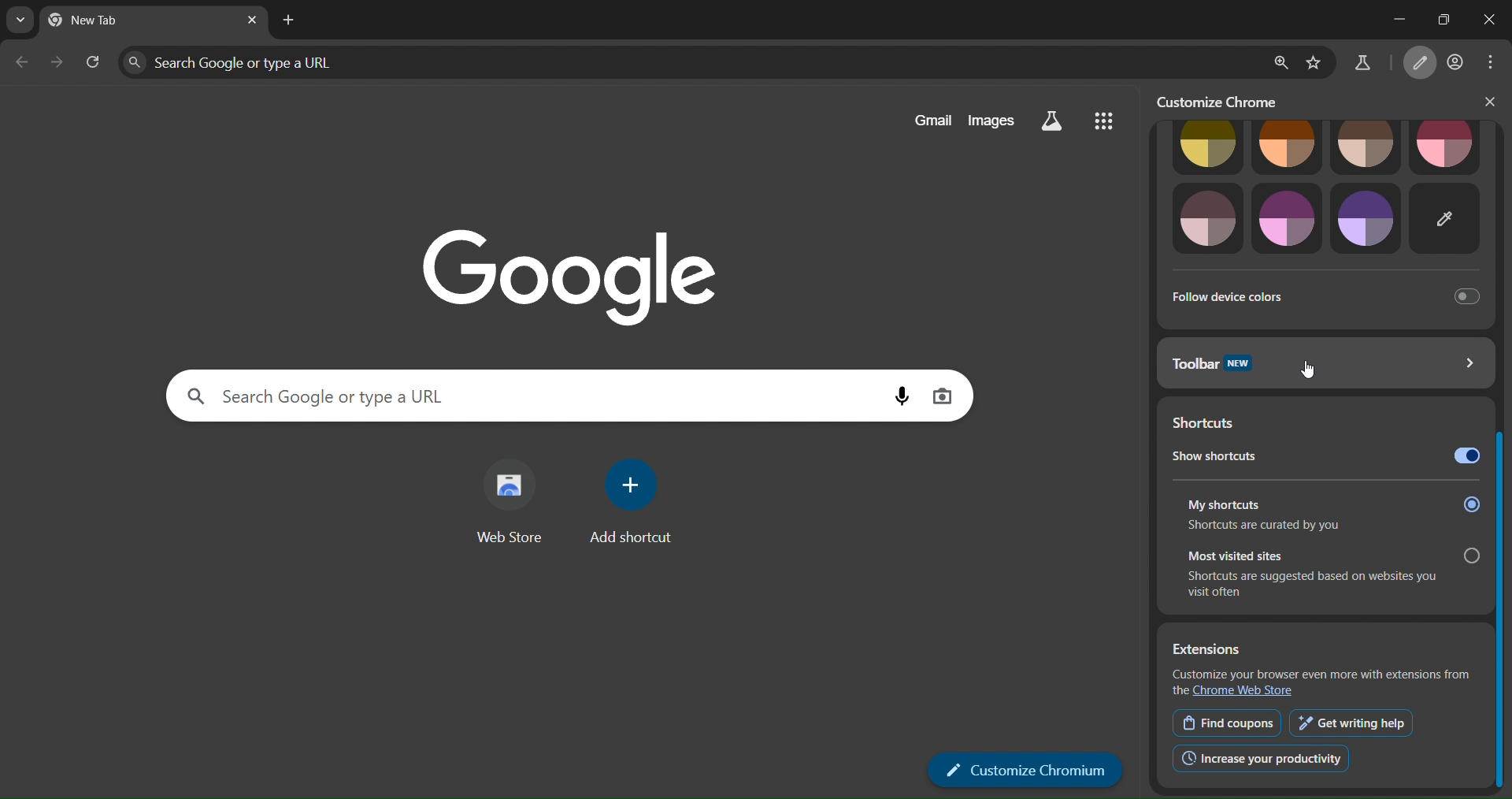  I want to click on shortcuts, so click(1206, 418).